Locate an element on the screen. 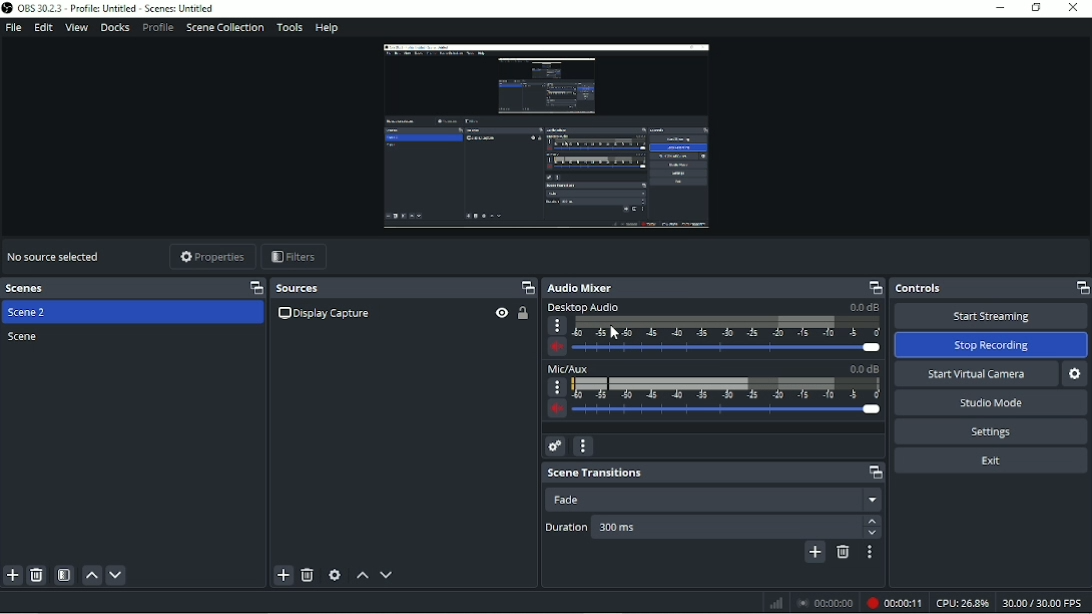  Remove selected scene is located at coordinates (37, 575).